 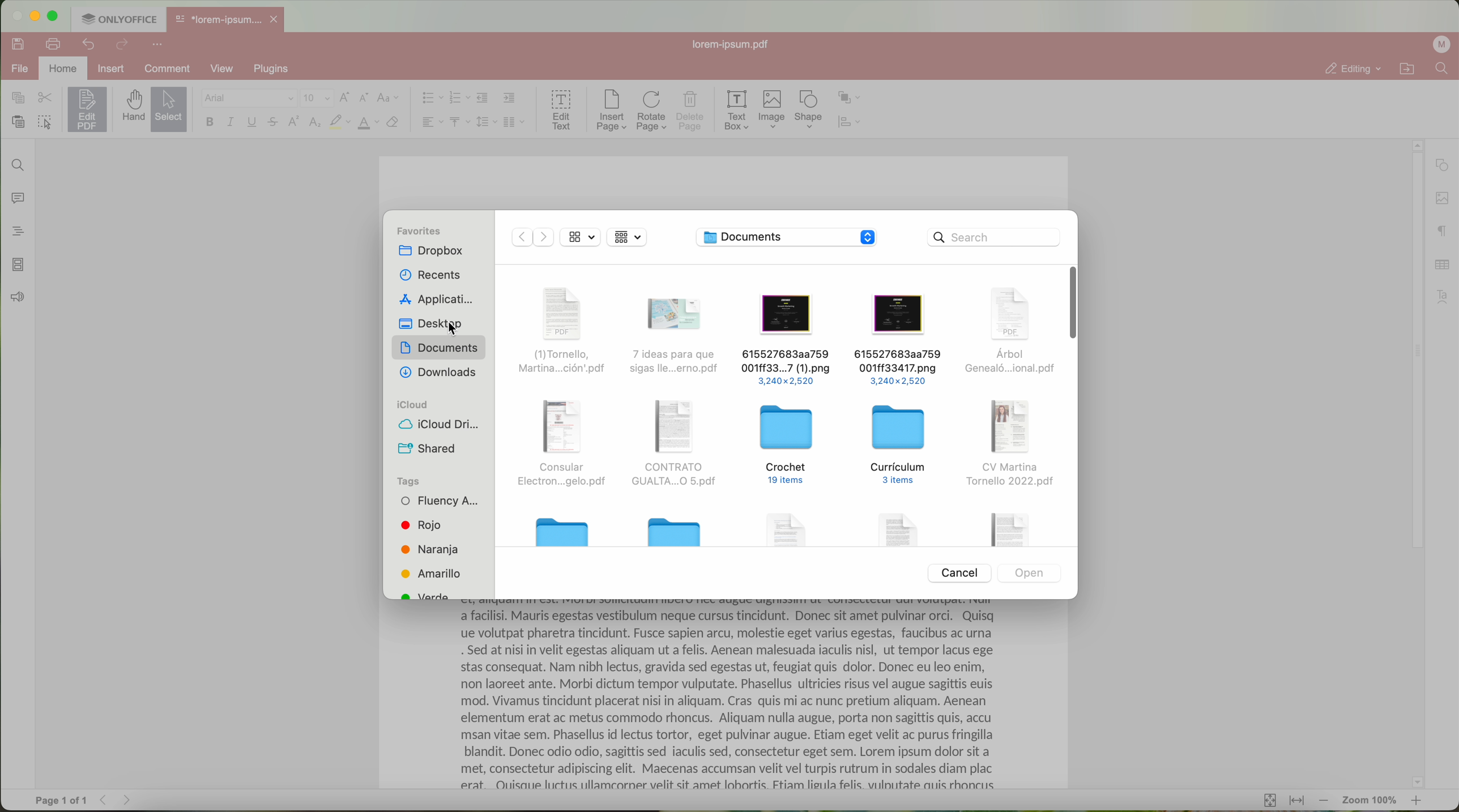 What do you see at coordinates (15, 164) in the screenshot?
I see `find` at bounding box center [15, 164].